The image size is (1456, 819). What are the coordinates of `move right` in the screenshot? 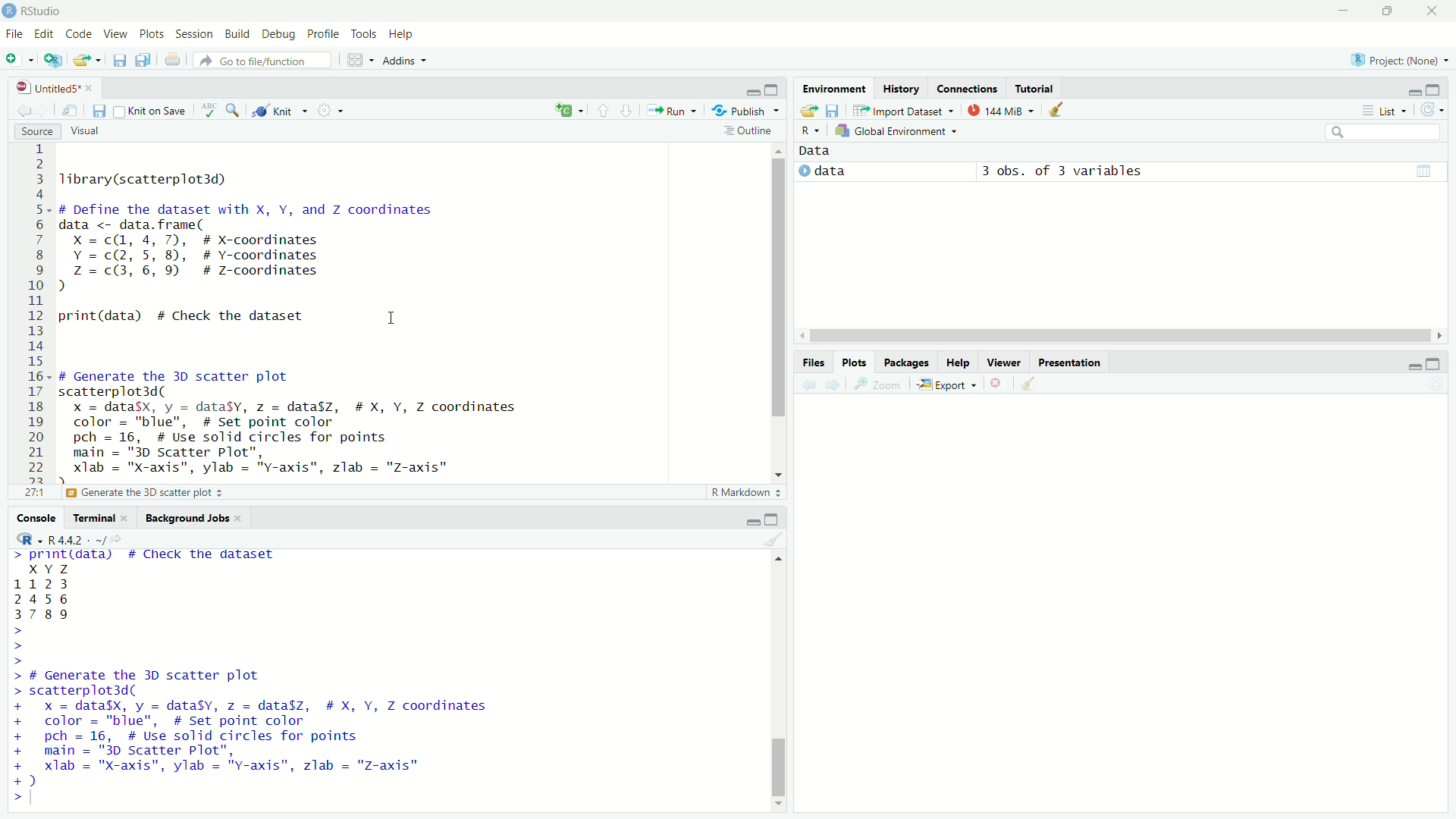 It's located at (1442, 334).